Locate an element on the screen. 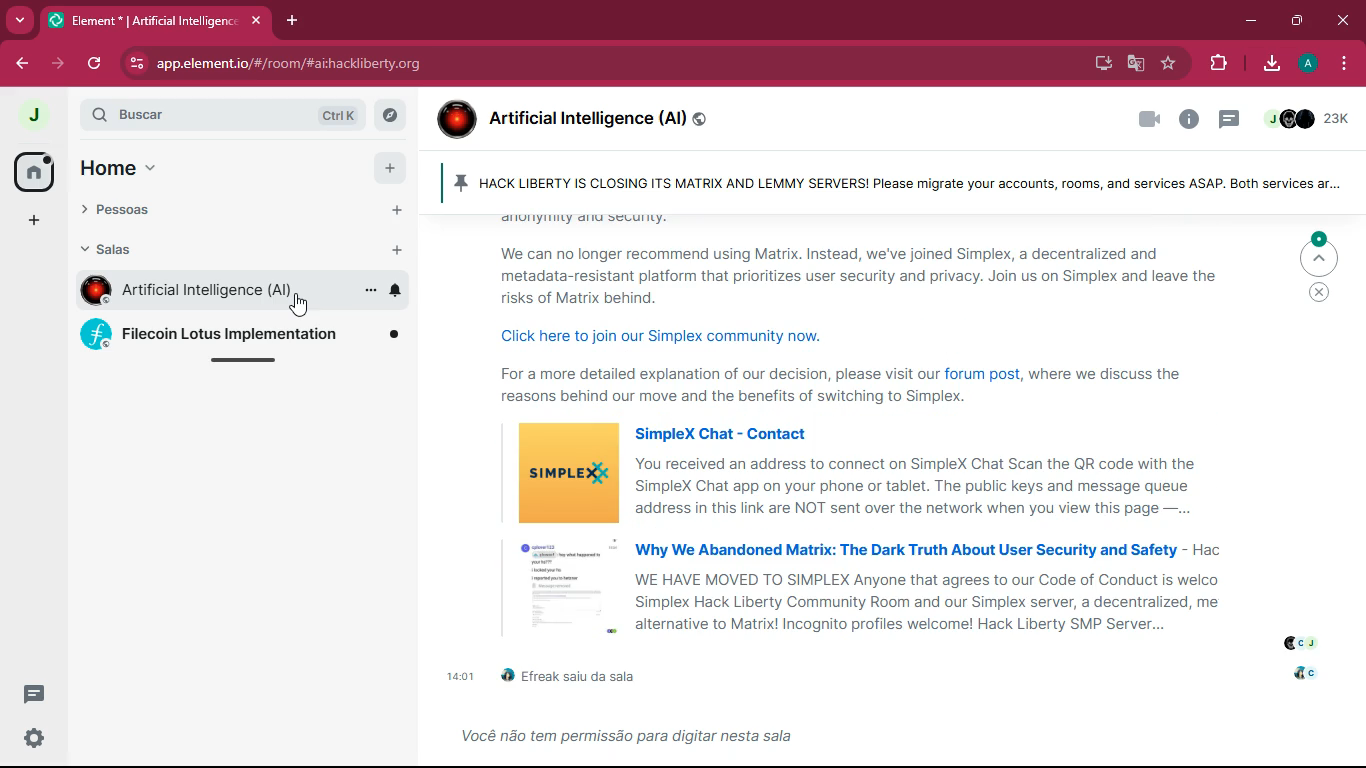 Image resolution: width=1366 pixels, height=768 pixels. people is located at coordinates (1301, 642).